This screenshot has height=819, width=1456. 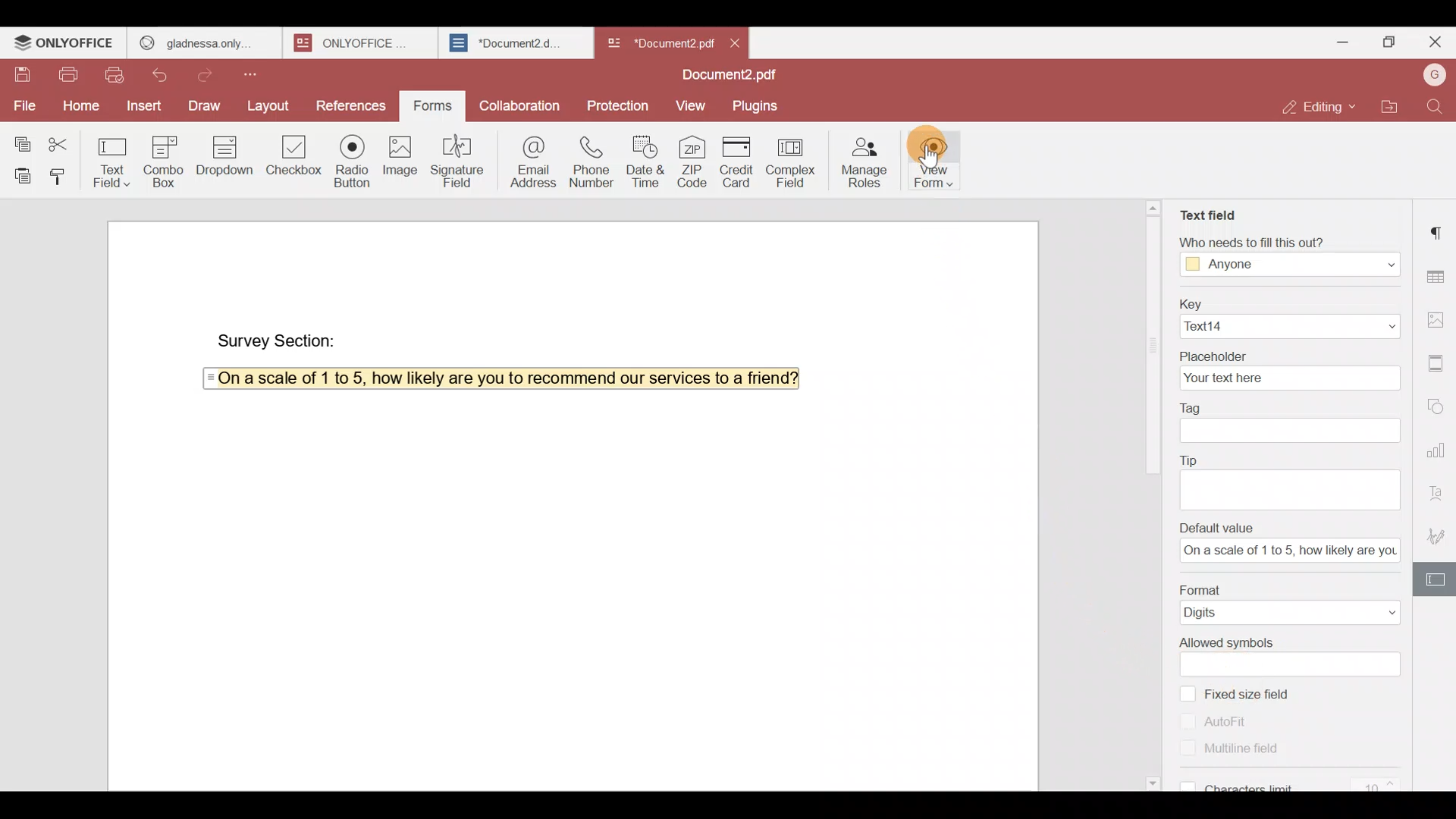 I want to click on Form settings, so click(x=1437, y=580).